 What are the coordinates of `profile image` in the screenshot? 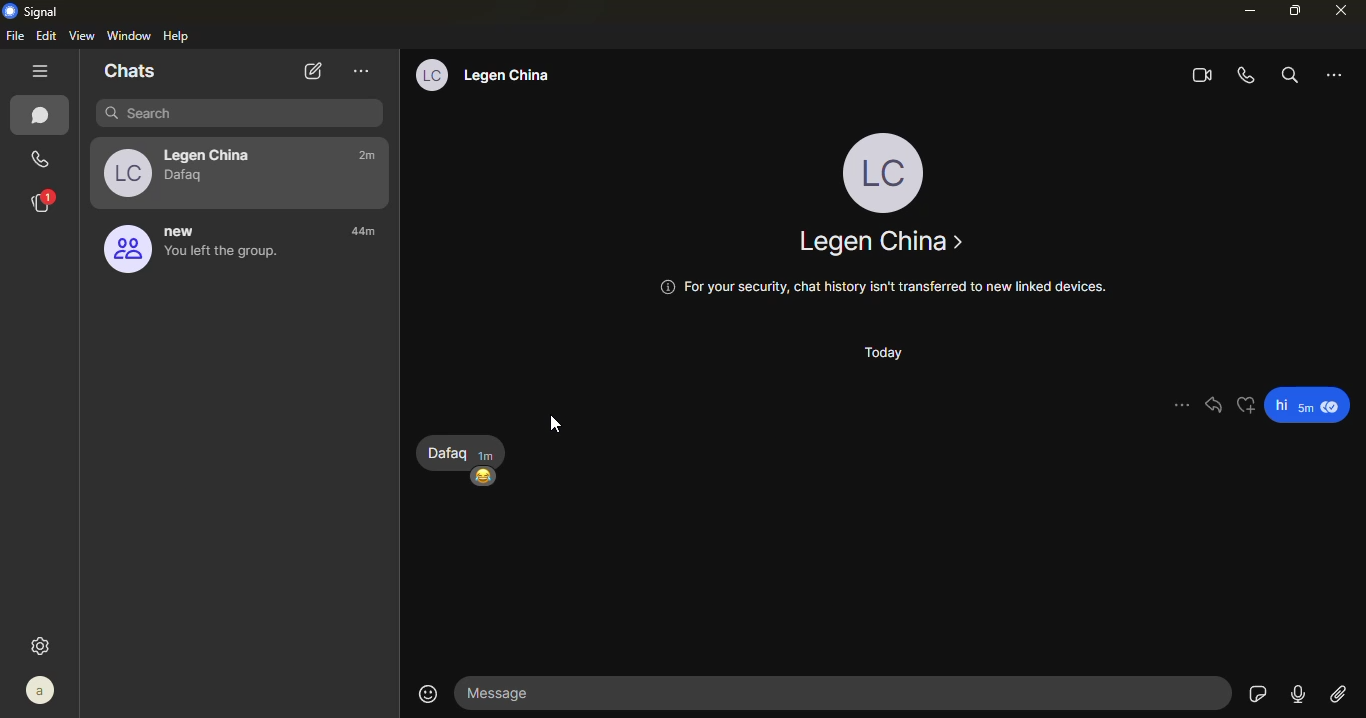 It's located at (125, 172).